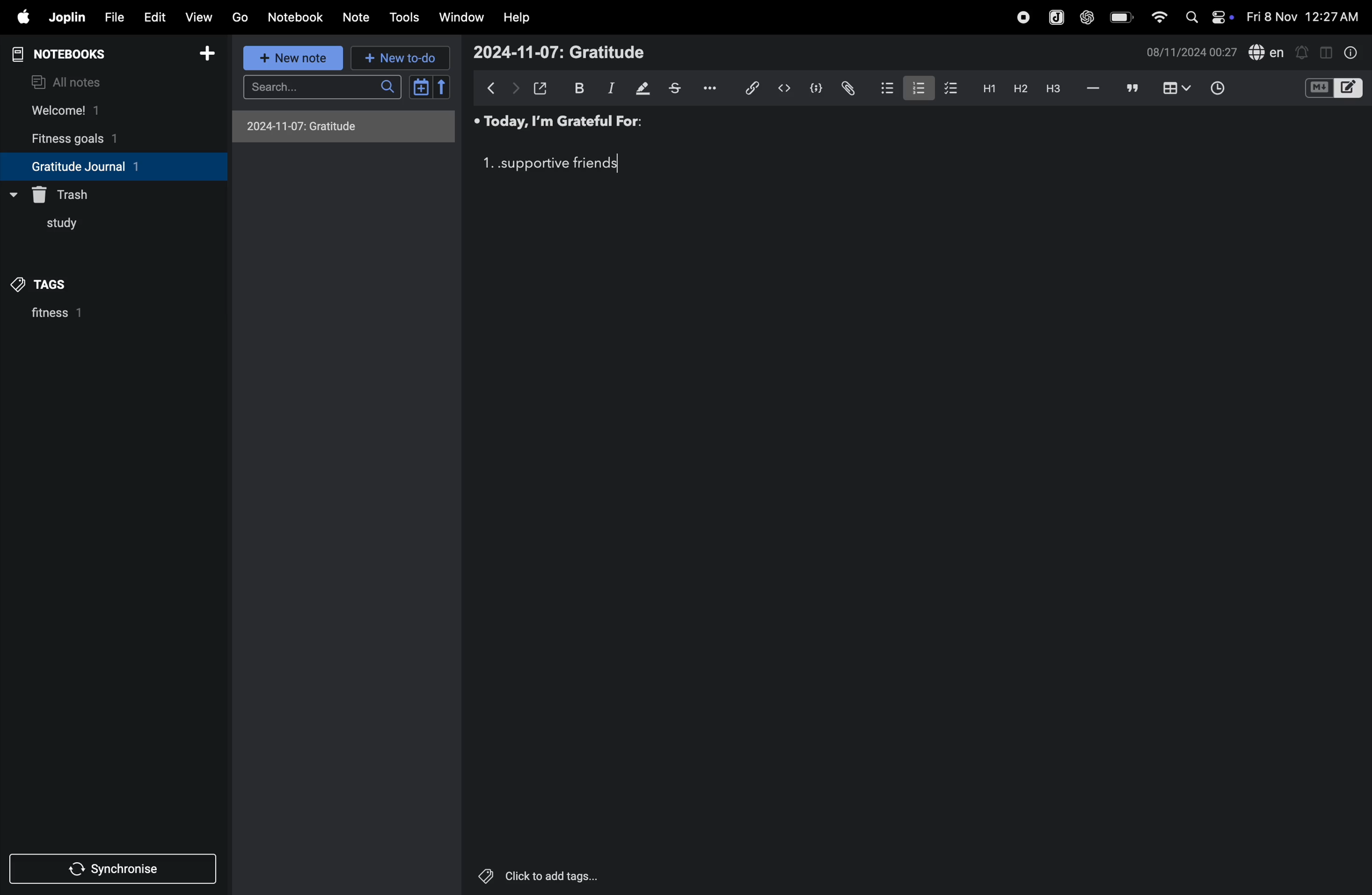 This screenshot has height=895, width=1372. Describe the element at coordinates (578, 87) in the screenshot. I see `bold` at that location.